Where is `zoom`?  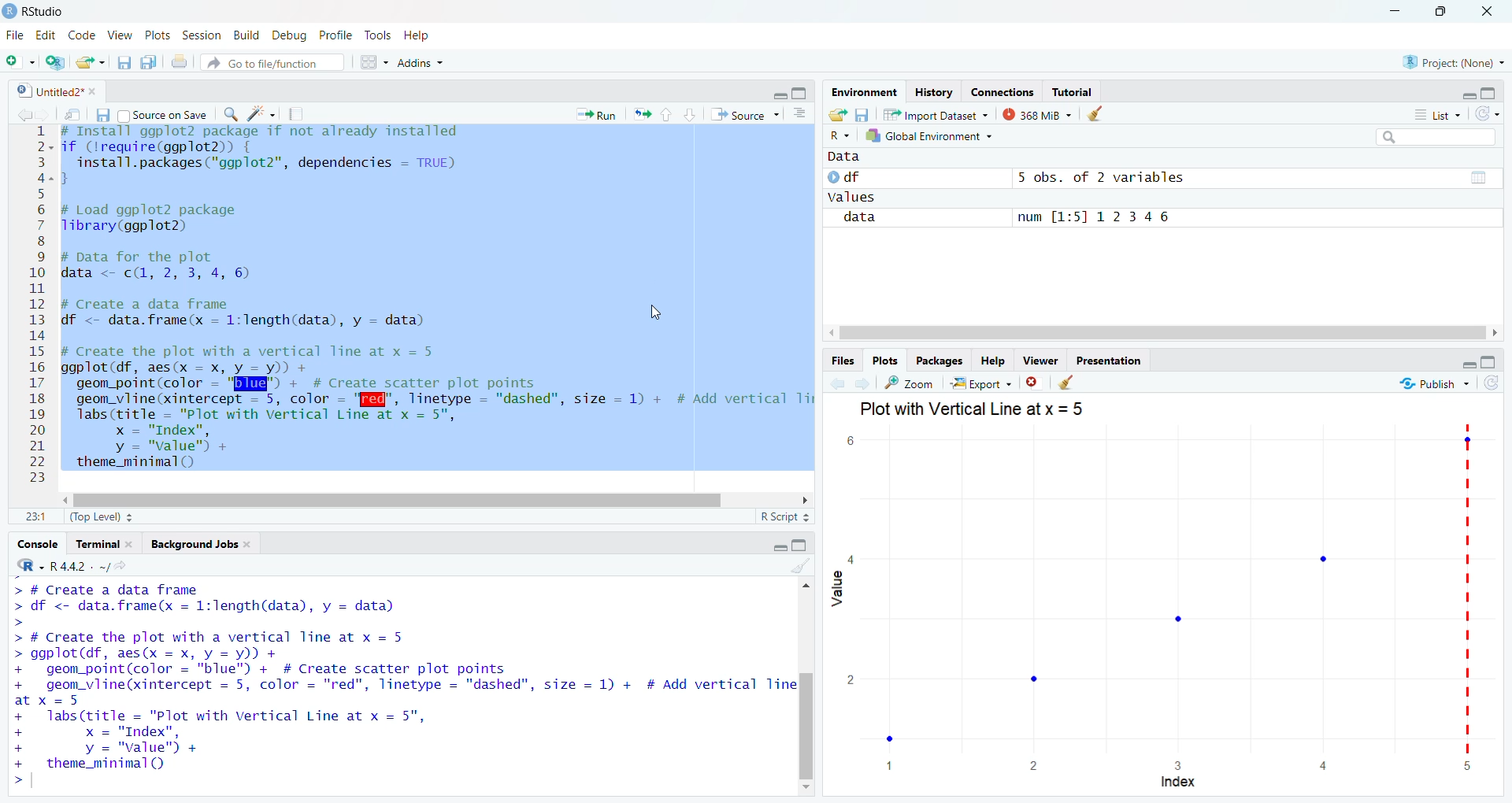
zoom is located at coordinates (909, 383).